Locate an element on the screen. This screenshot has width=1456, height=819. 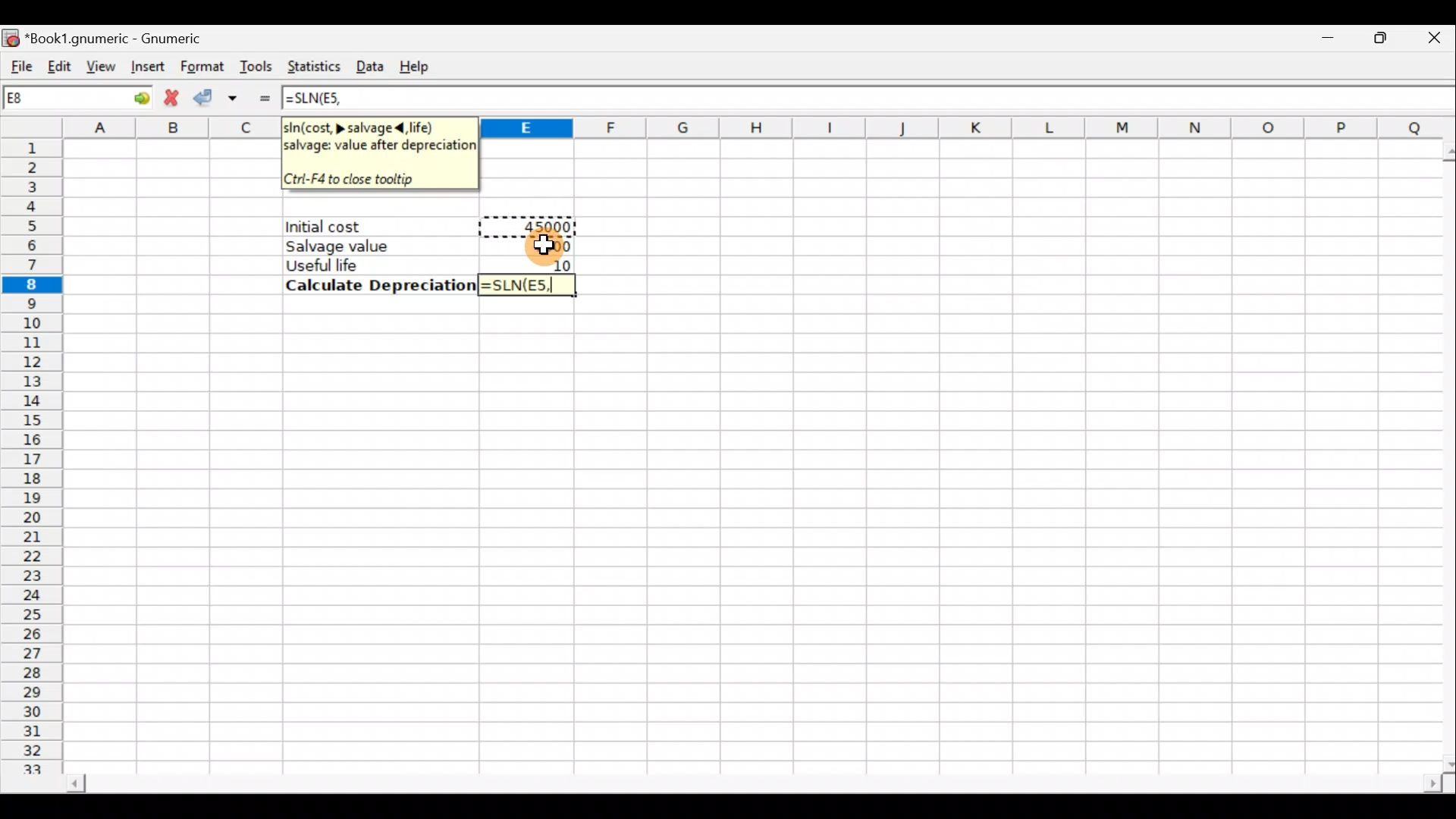
Close is located at coordinates (1425, 42).